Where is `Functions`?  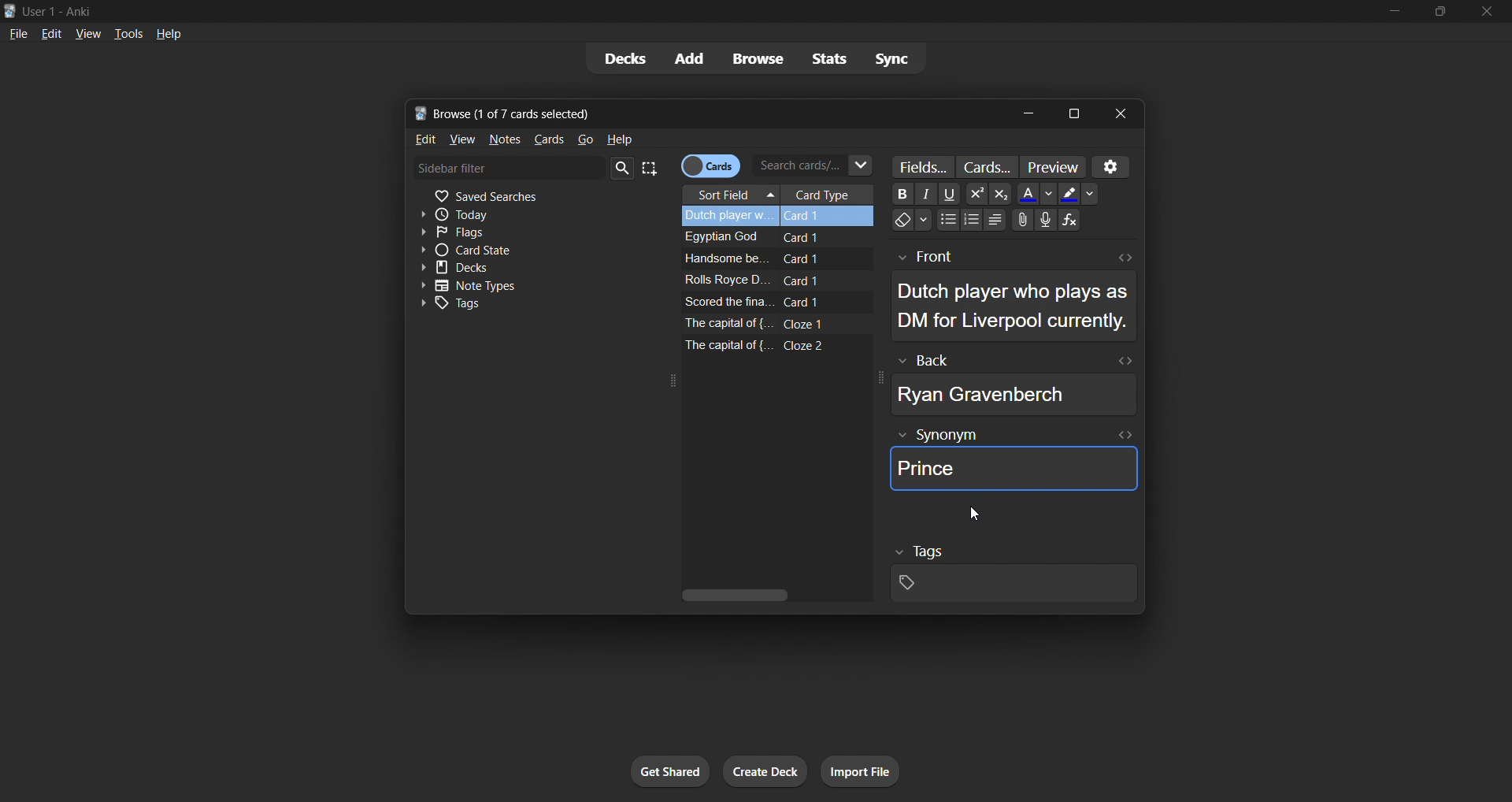 Functions is located at coordinates (1070, 221).